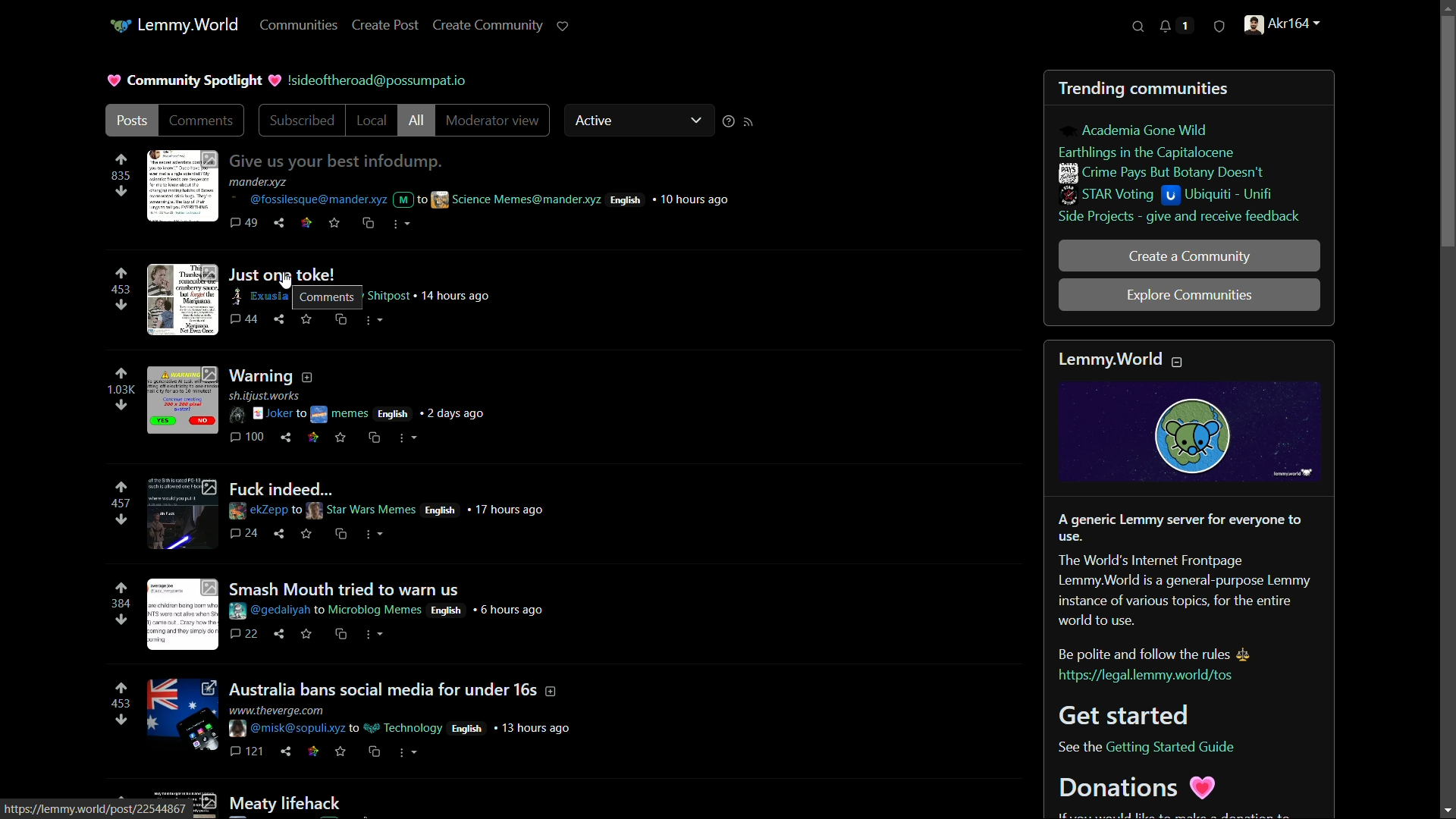 This screenshot has height=819, width=1456. What do you see at coordinates (248, 437) in the screenshot?
I see `100 comments` at bounding box center [248, 437].